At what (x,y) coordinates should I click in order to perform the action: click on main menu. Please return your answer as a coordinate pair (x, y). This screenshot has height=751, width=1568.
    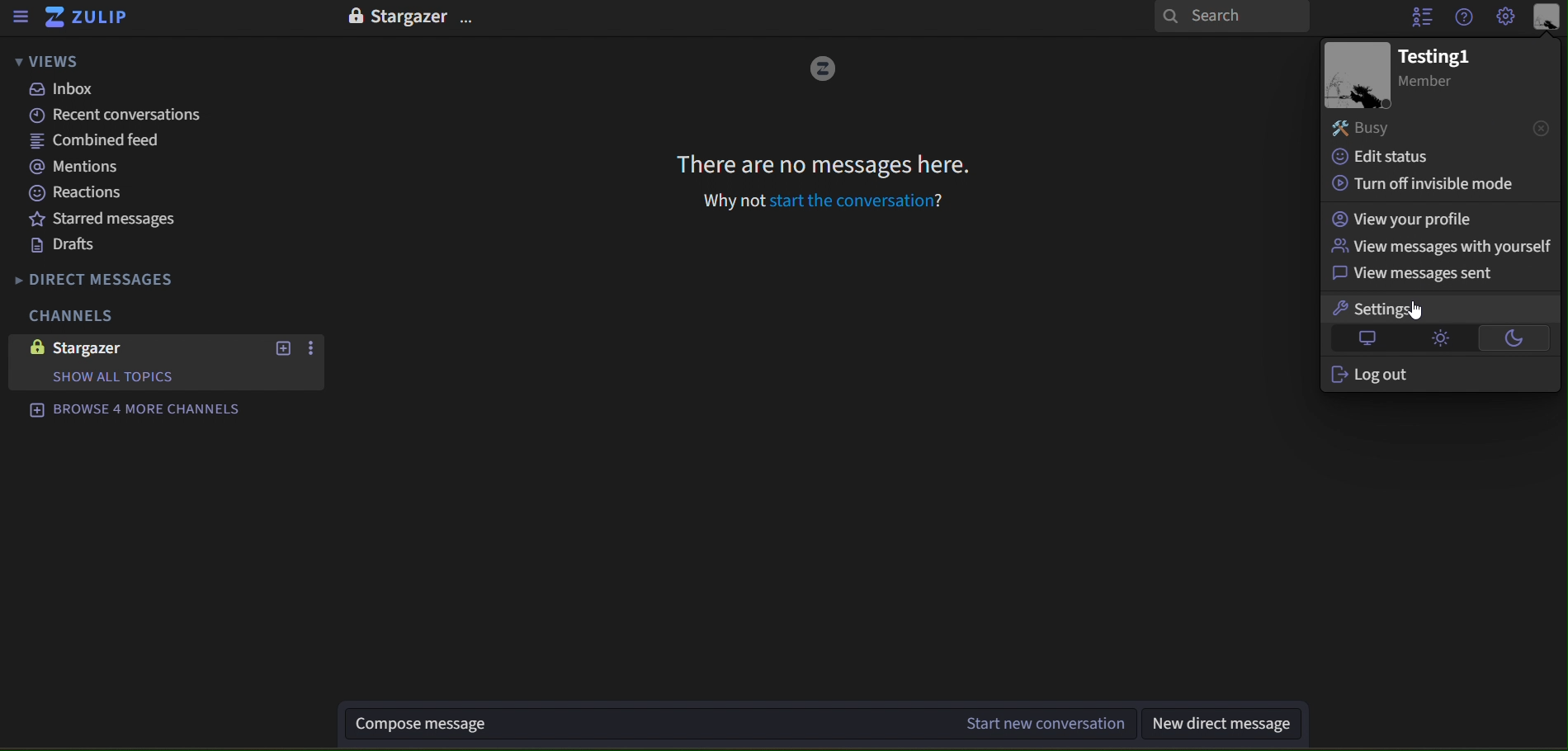
    Looking at the image, I should click on (1507, 18).